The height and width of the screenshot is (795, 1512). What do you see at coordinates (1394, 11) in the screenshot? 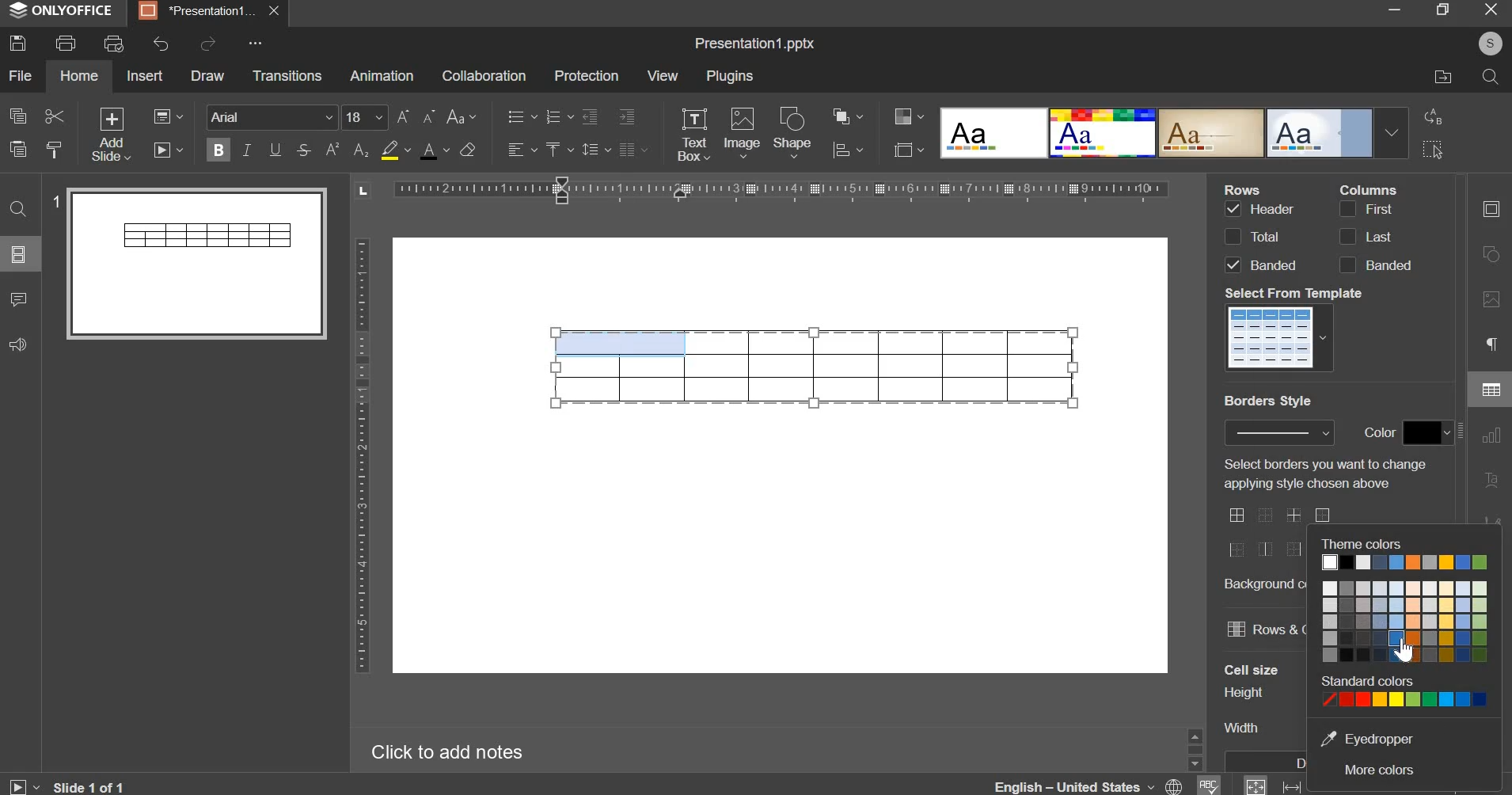
I see `minimize` at bounding box center [1394, 11].